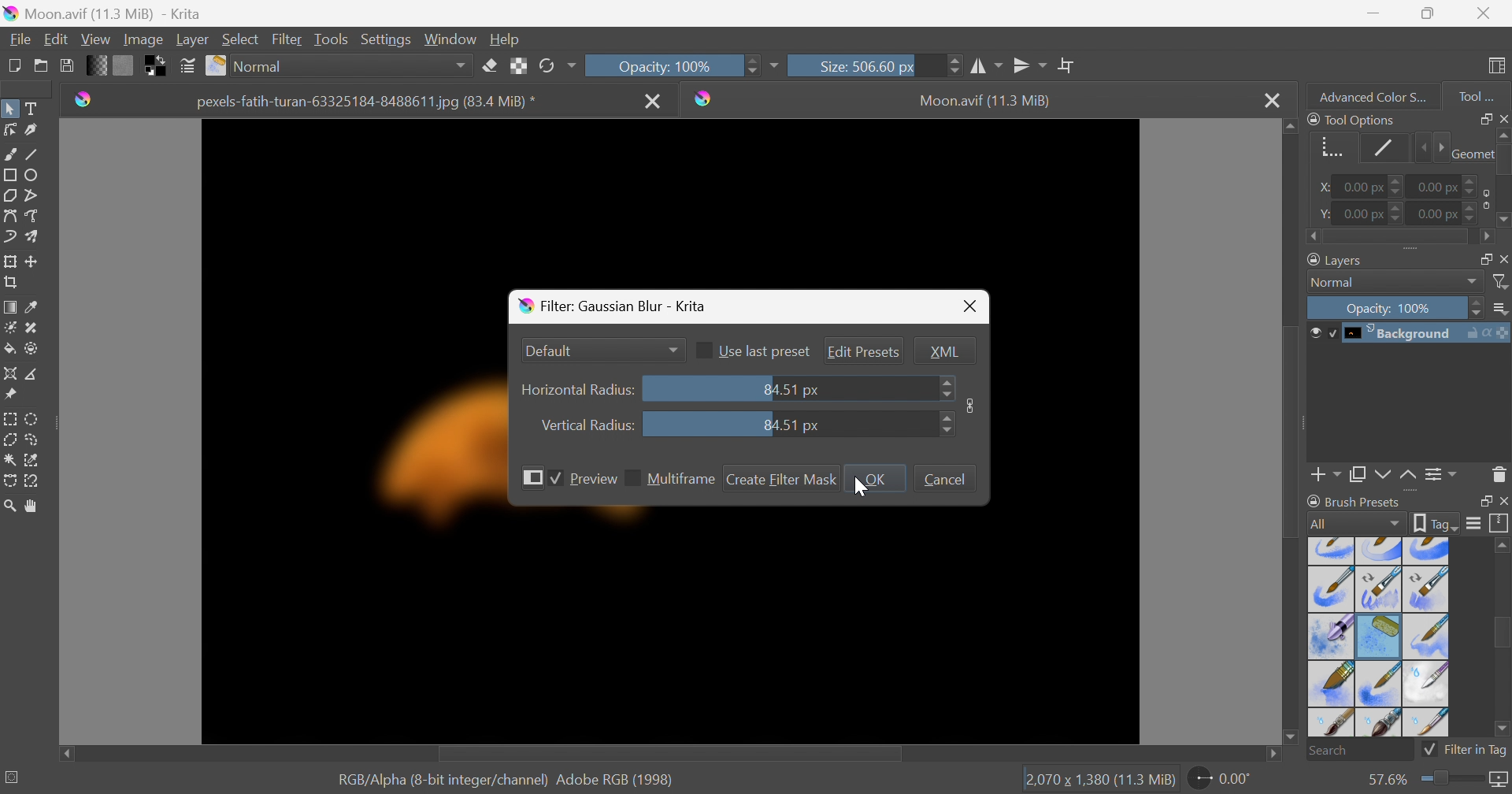 Image resolution: width=1512 pixels, height=794 pixels. I want to click on Scroll bar, so click(667, 755).